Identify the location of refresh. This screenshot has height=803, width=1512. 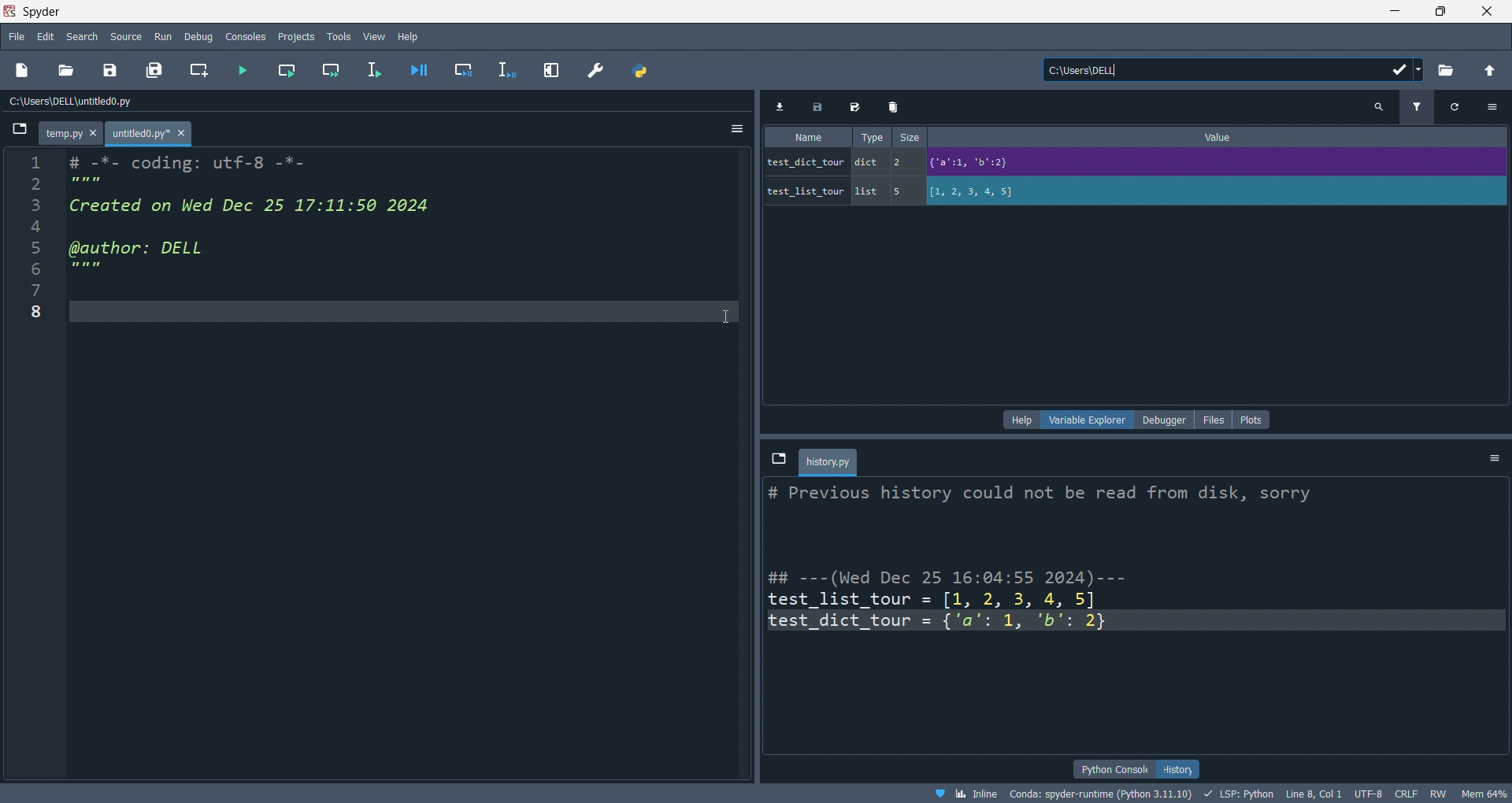
(1451, 107).